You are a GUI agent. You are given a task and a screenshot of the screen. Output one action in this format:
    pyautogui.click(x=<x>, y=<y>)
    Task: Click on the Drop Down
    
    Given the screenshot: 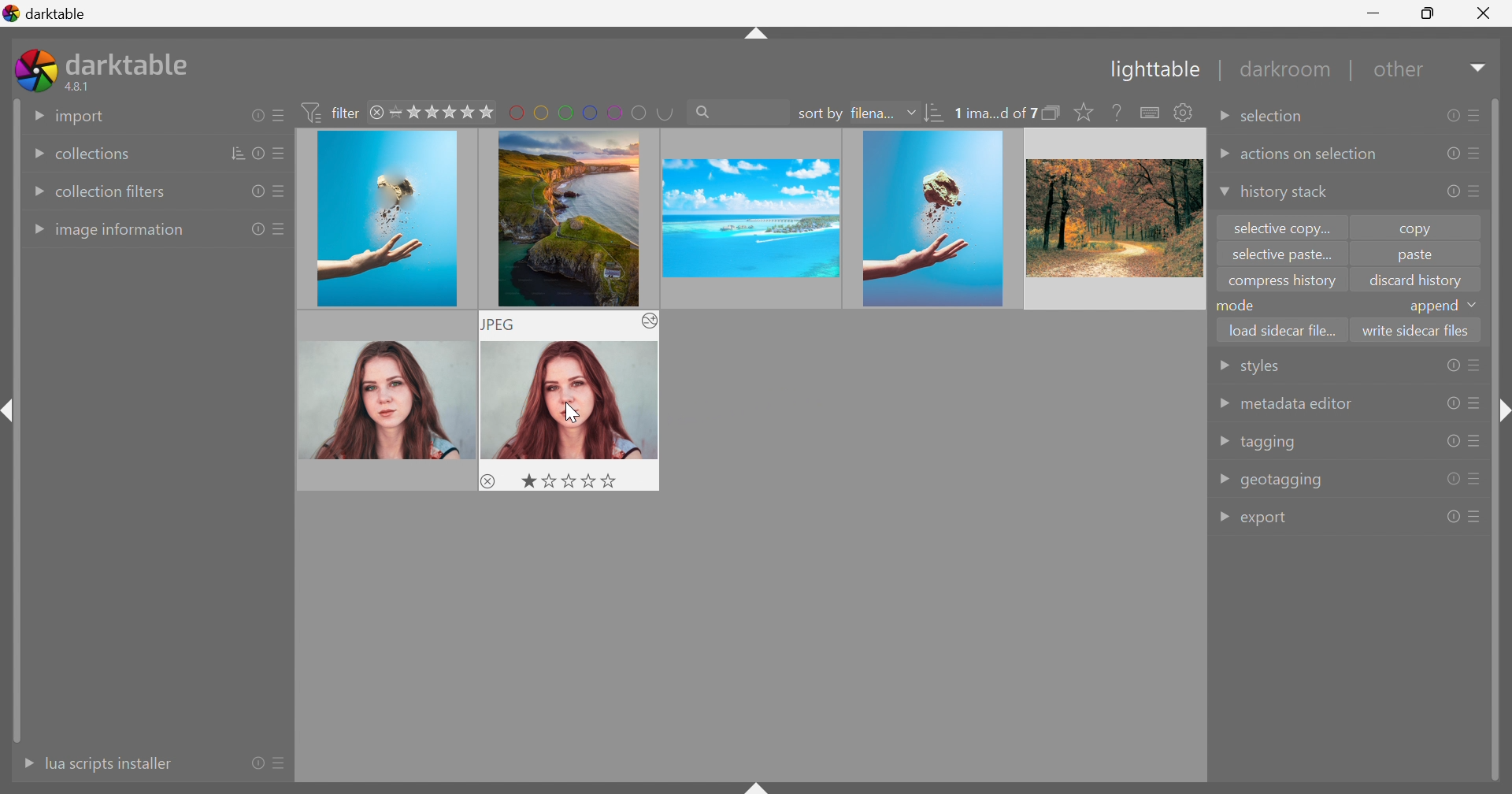 What is the action you would take?
    pyautogui.click(x=35, y=114)
    